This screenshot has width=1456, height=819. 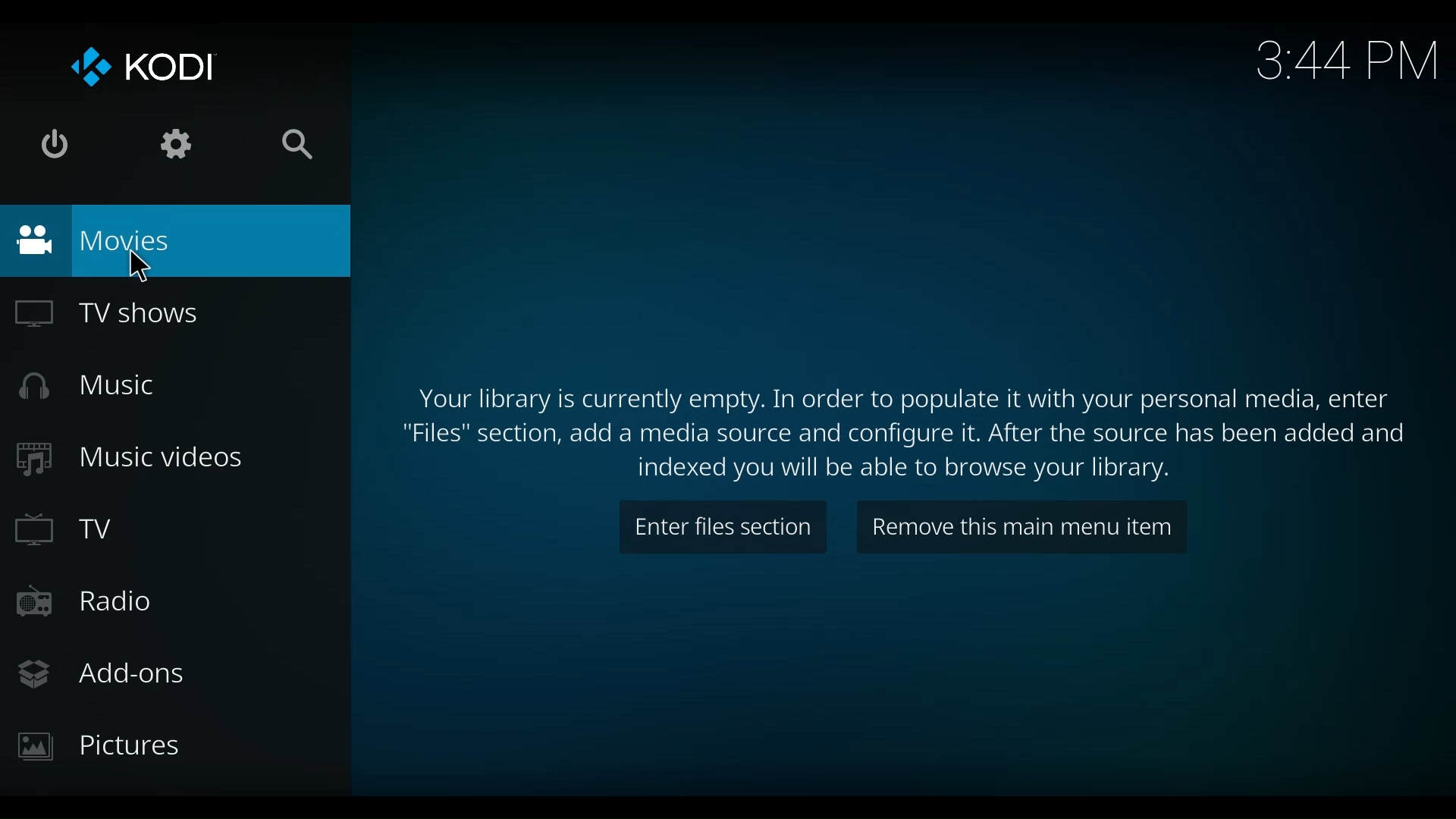 I want to click on TV Shows, so click(x=129, y=313).